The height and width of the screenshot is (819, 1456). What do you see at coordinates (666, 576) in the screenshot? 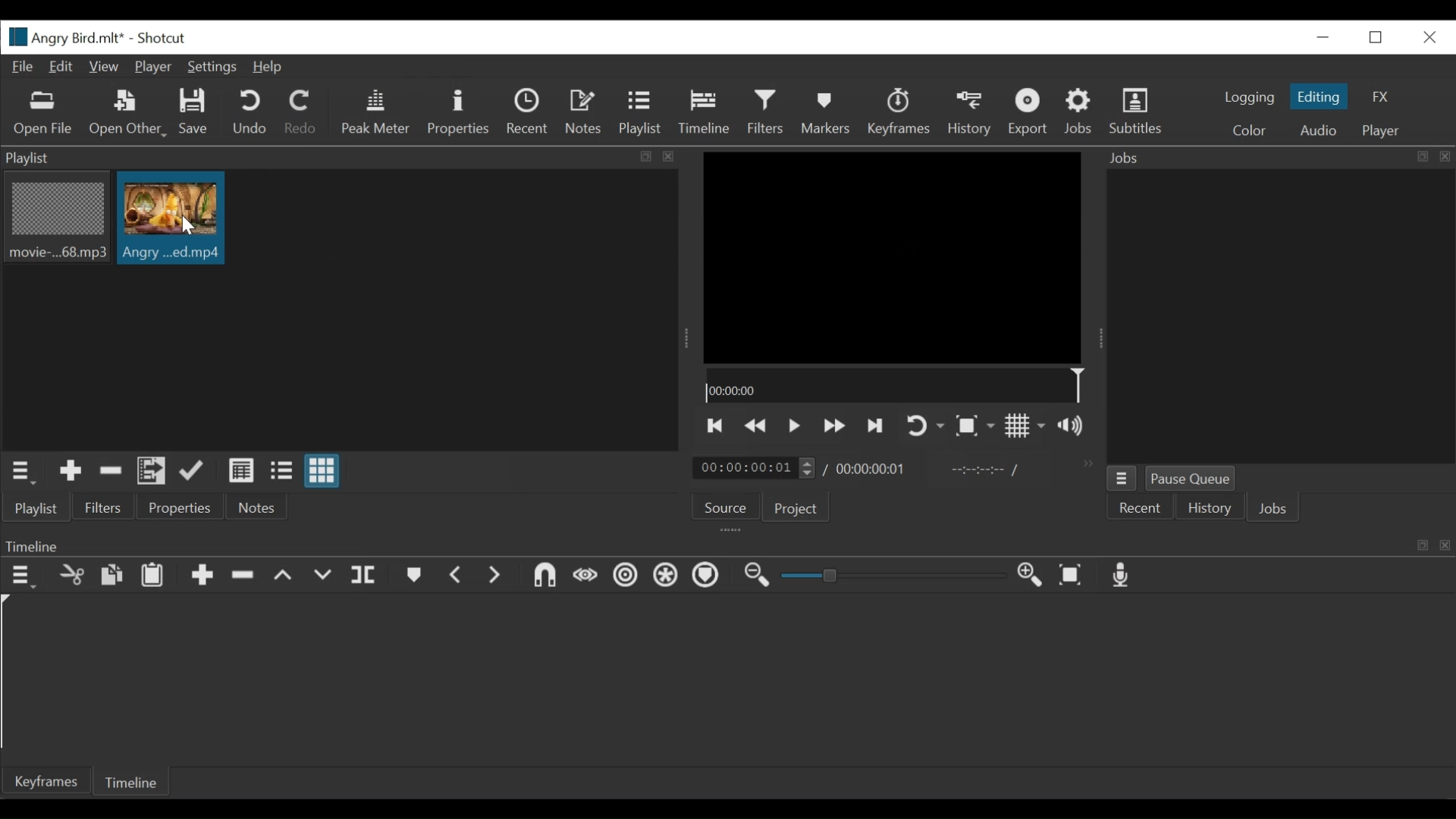
I see `Ripple all tracks` at bounding box center [666, 576].